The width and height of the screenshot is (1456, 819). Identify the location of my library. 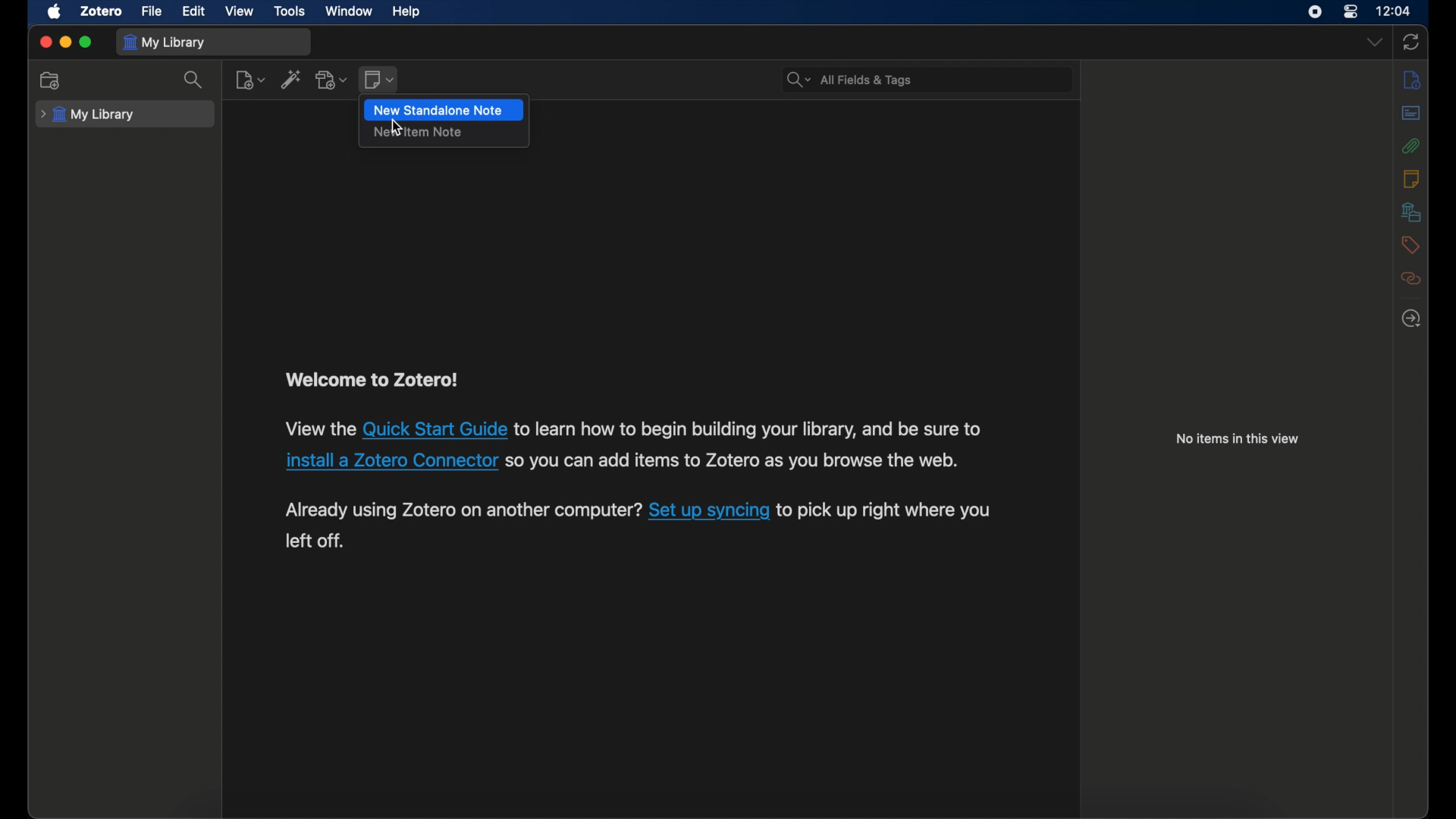
(87, 114).